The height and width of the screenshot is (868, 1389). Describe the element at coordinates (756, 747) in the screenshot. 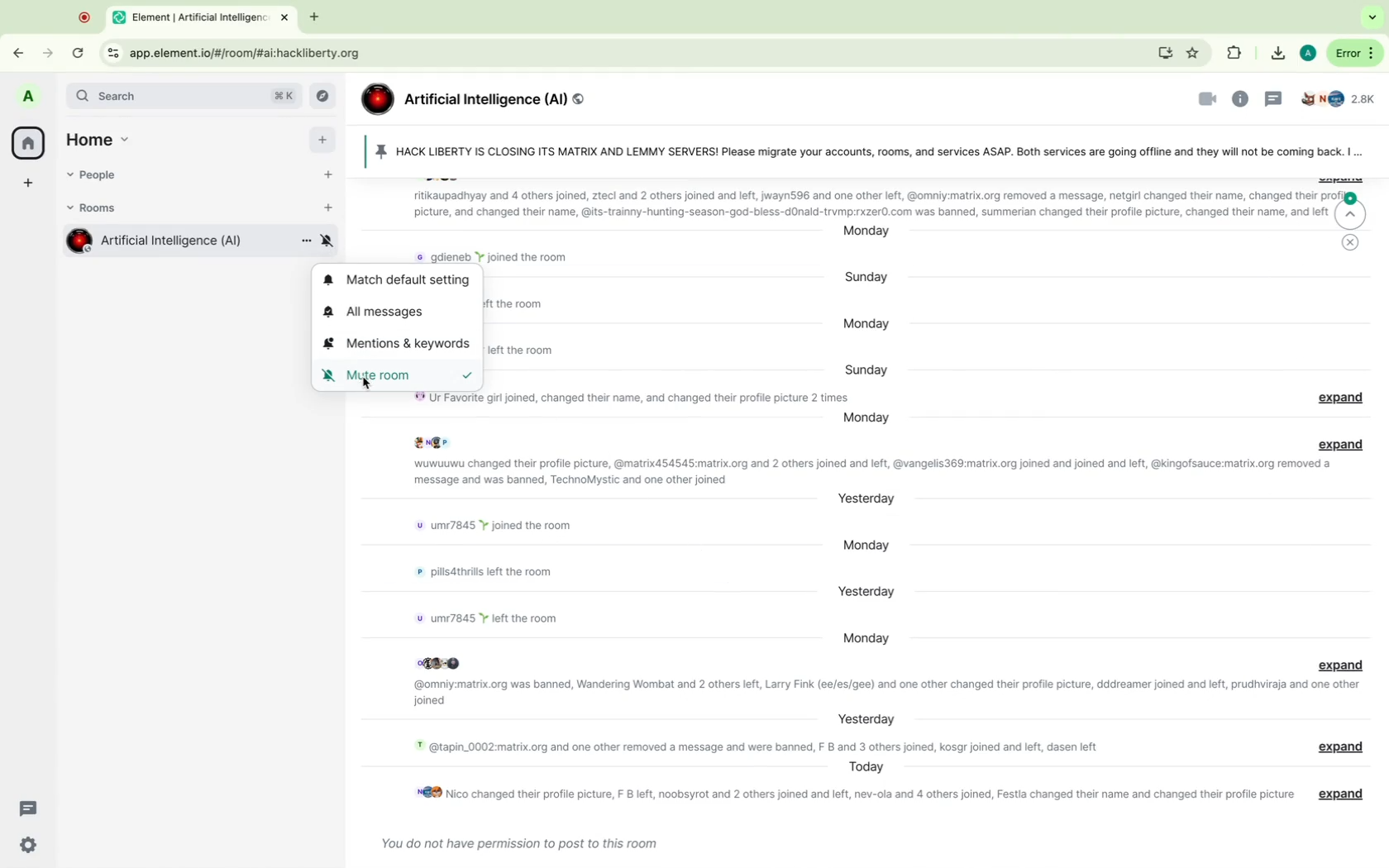

I see `message` at that location.